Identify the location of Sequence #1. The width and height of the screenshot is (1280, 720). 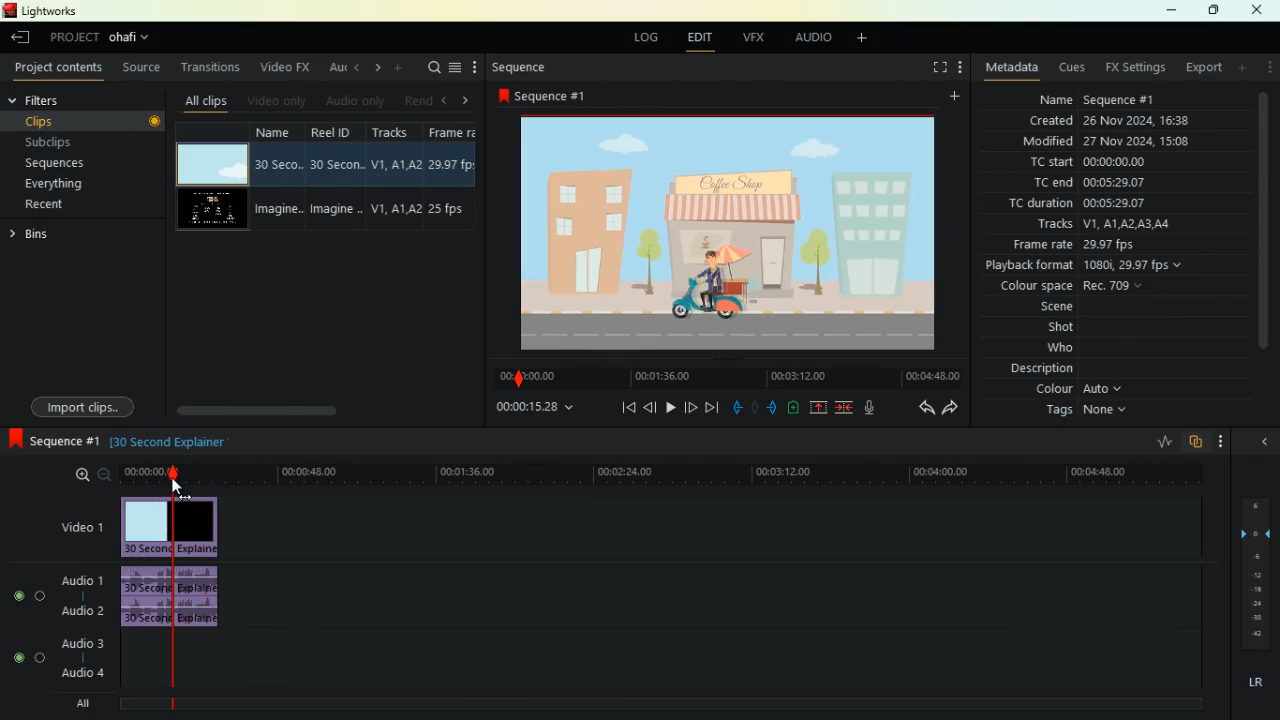
(1120, 102).